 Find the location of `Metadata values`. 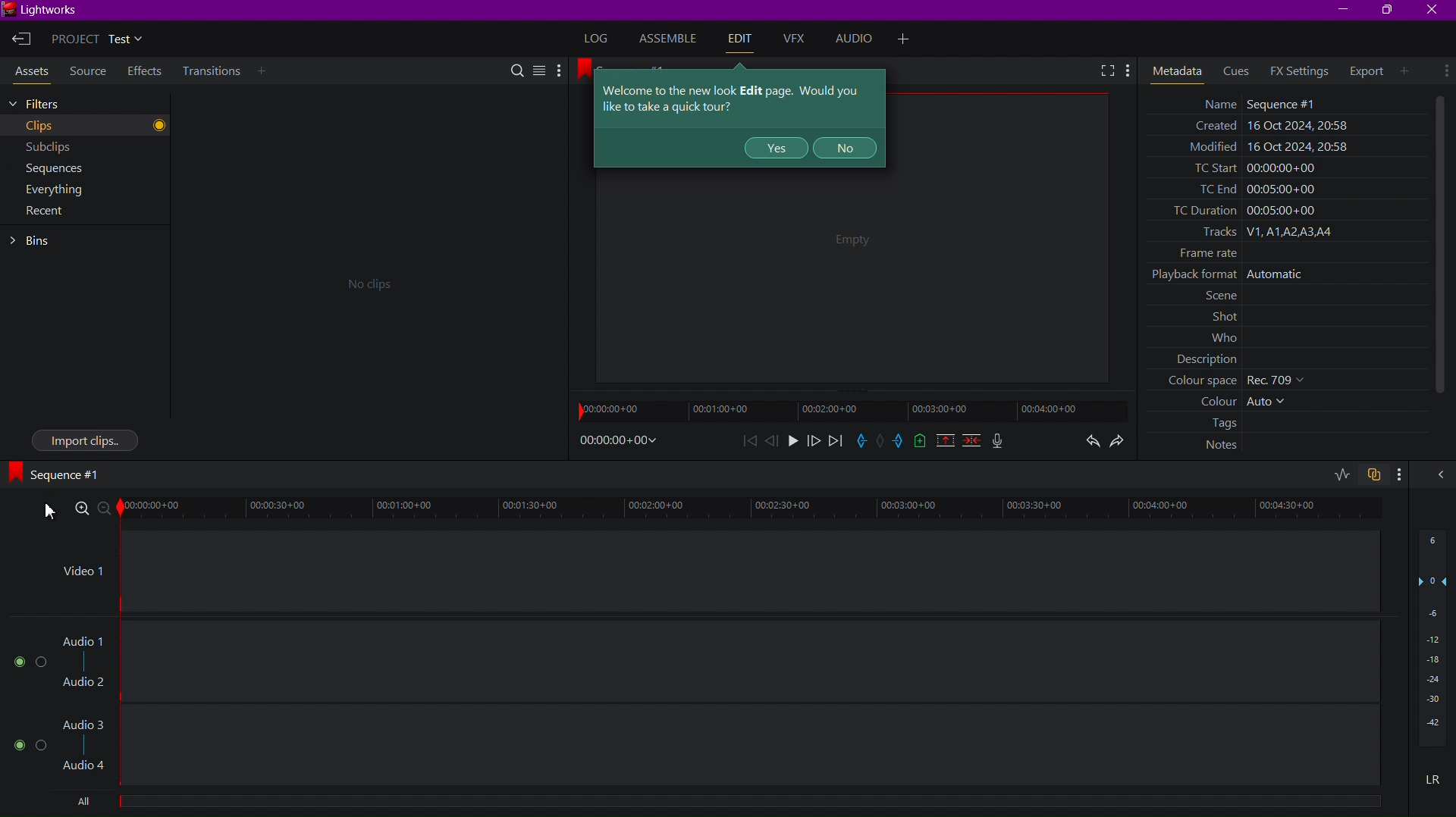

Metadata values is located at coordinates (1290, 275).